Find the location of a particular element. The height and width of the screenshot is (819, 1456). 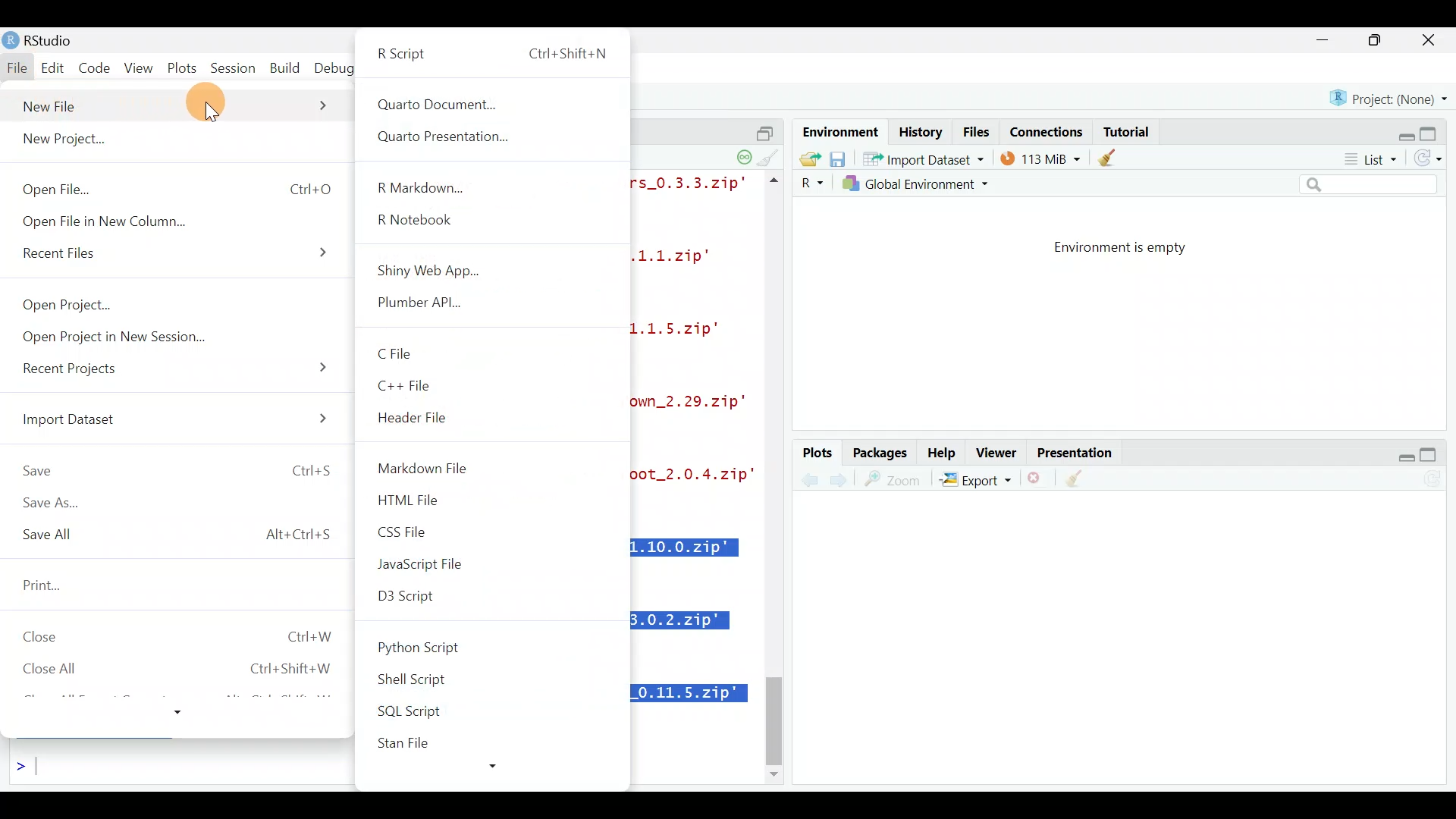

Packages is located at coordinates (879, 452).